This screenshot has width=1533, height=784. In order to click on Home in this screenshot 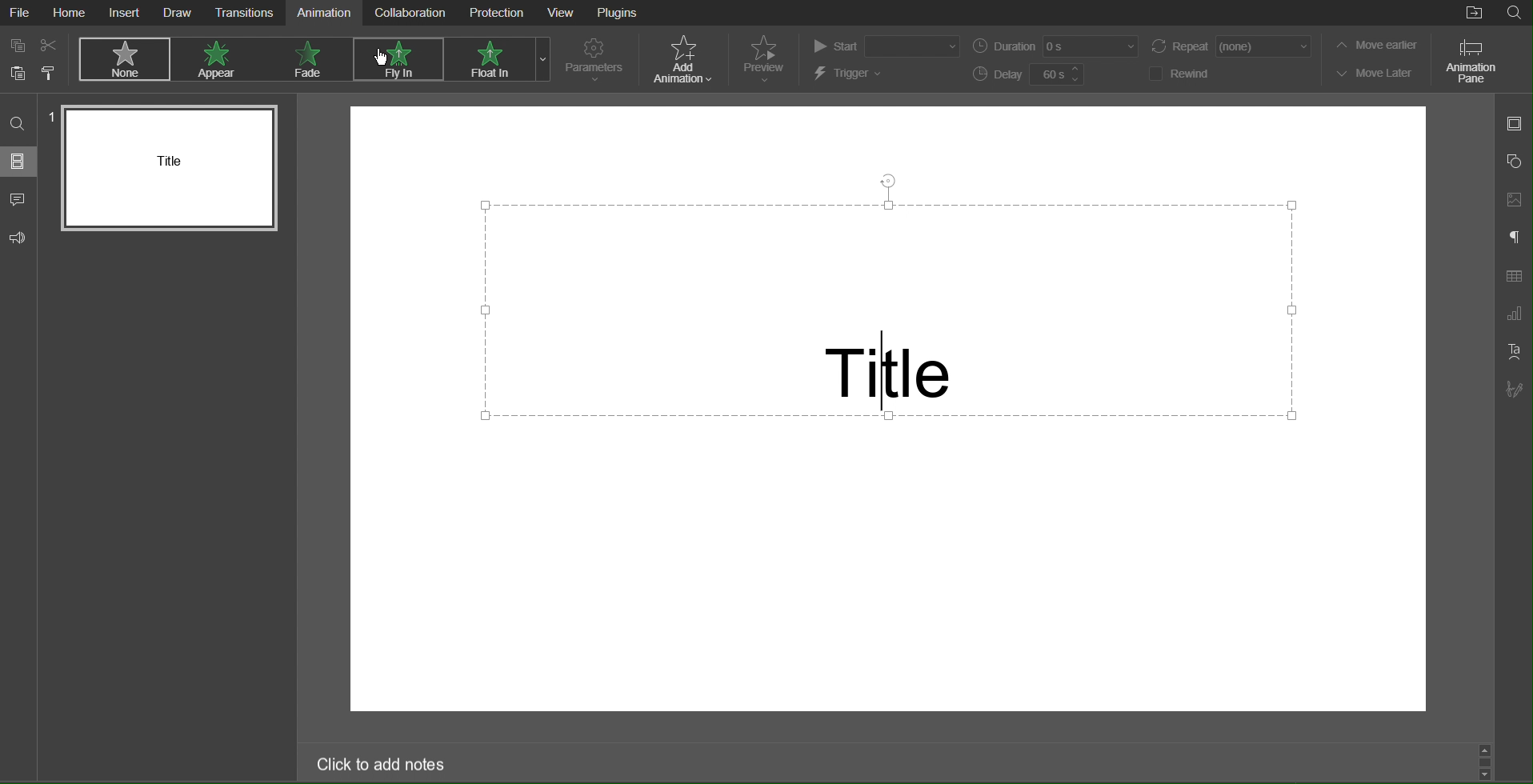, I will do `click(70, 12)`.